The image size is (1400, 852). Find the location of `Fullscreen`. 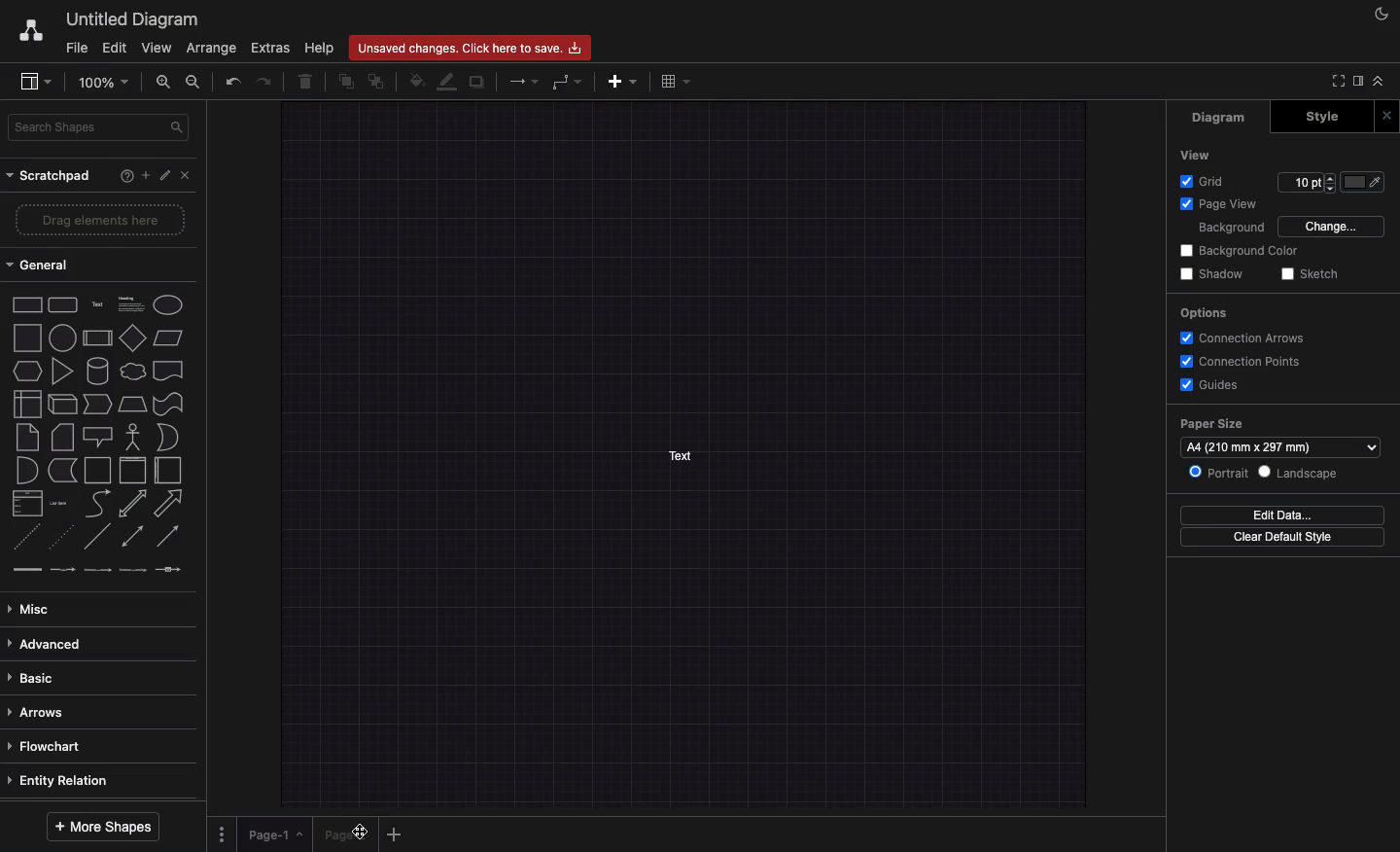

Fullscreen is located at coordinates (1337, 80).